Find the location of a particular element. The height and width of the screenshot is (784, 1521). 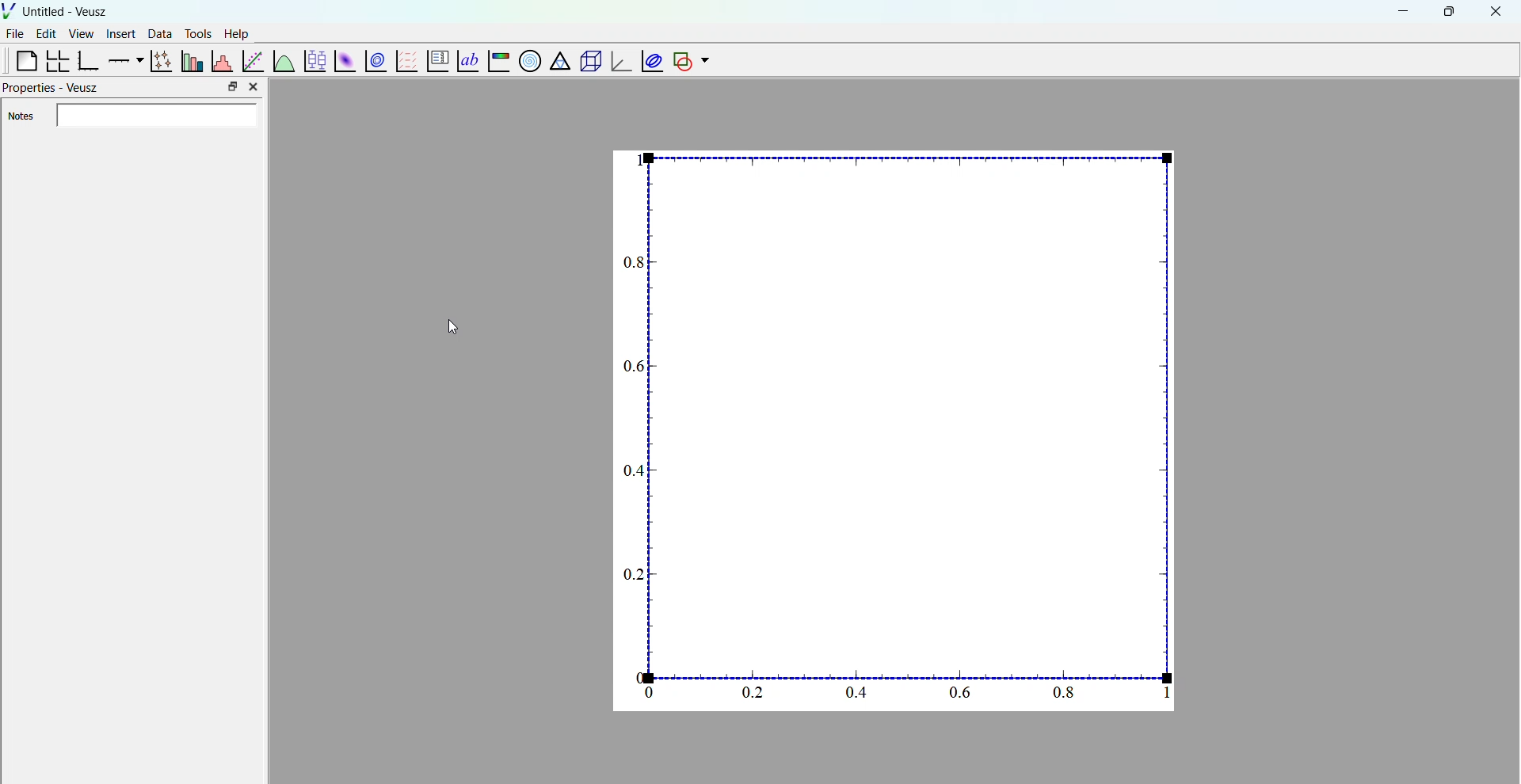

1 is located at coordinates (1166, 693).